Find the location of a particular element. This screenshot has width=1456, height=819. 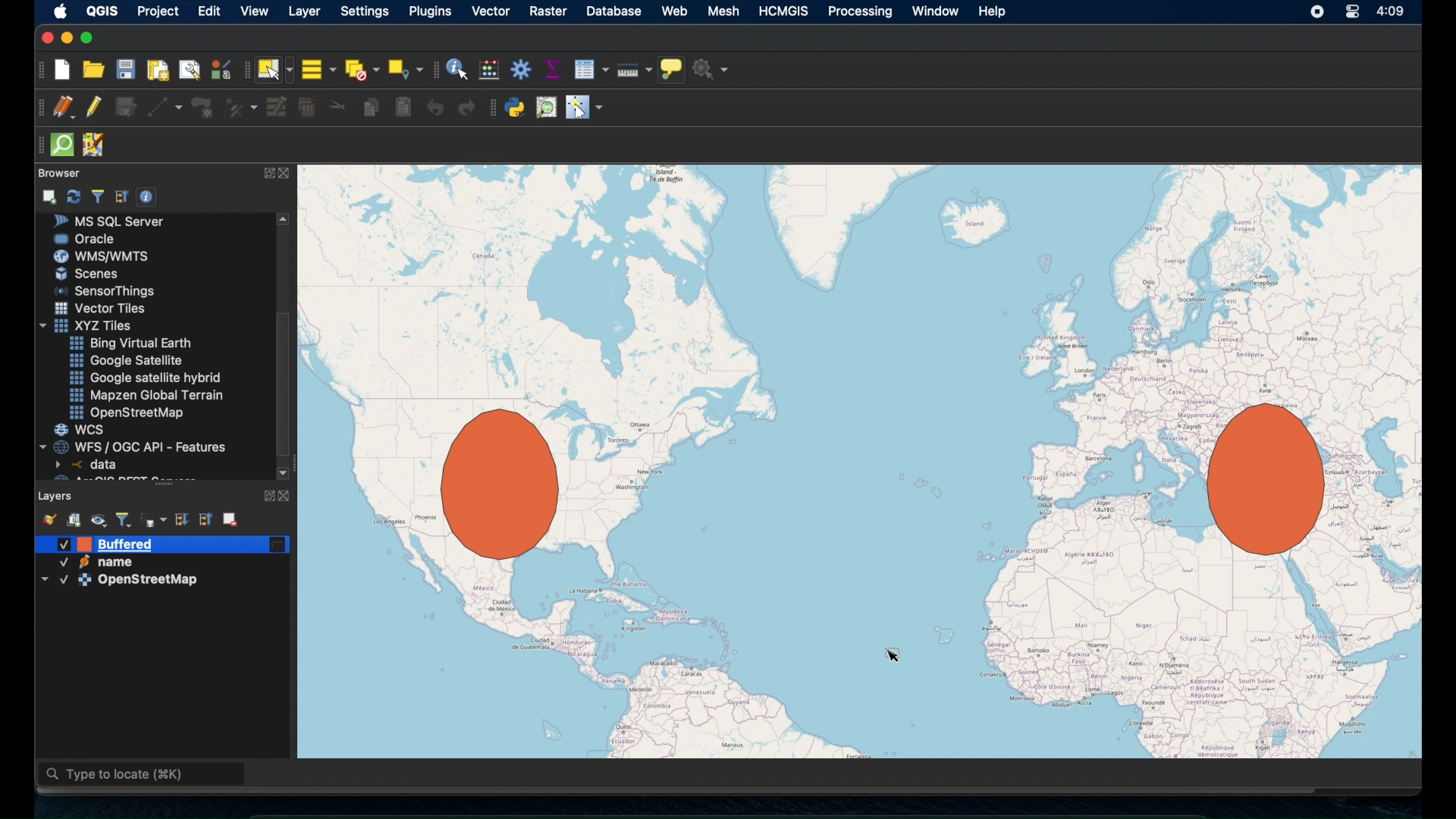

layers is located at coordinates (56, 494).